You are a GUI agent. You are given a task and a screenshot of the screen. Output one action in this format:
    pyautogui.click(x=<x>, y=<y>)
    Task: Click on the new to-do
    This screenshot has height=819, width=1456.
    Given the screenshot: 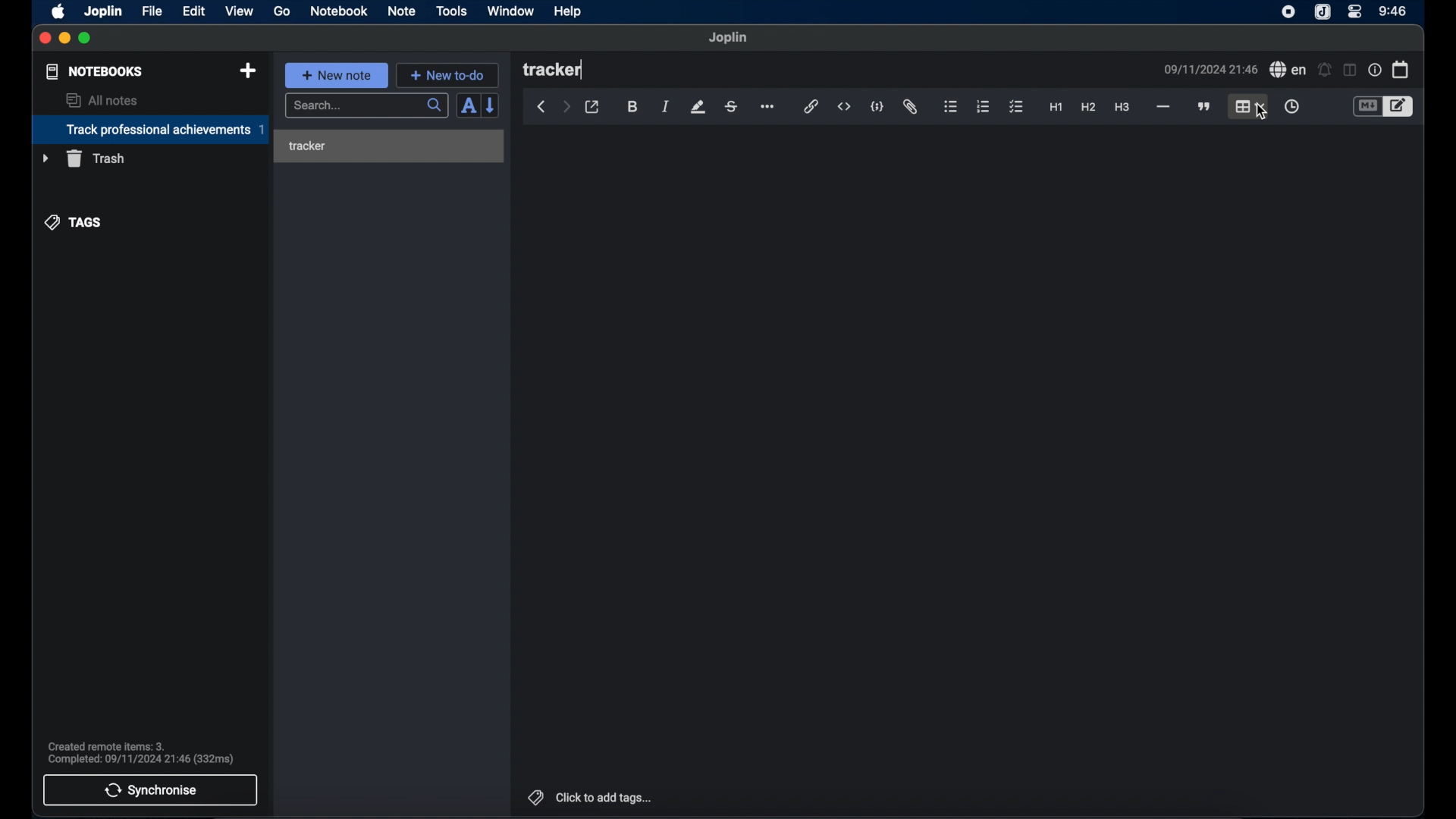 What is the action you would take?
    pyautogui.click(x=447, y=75)
    